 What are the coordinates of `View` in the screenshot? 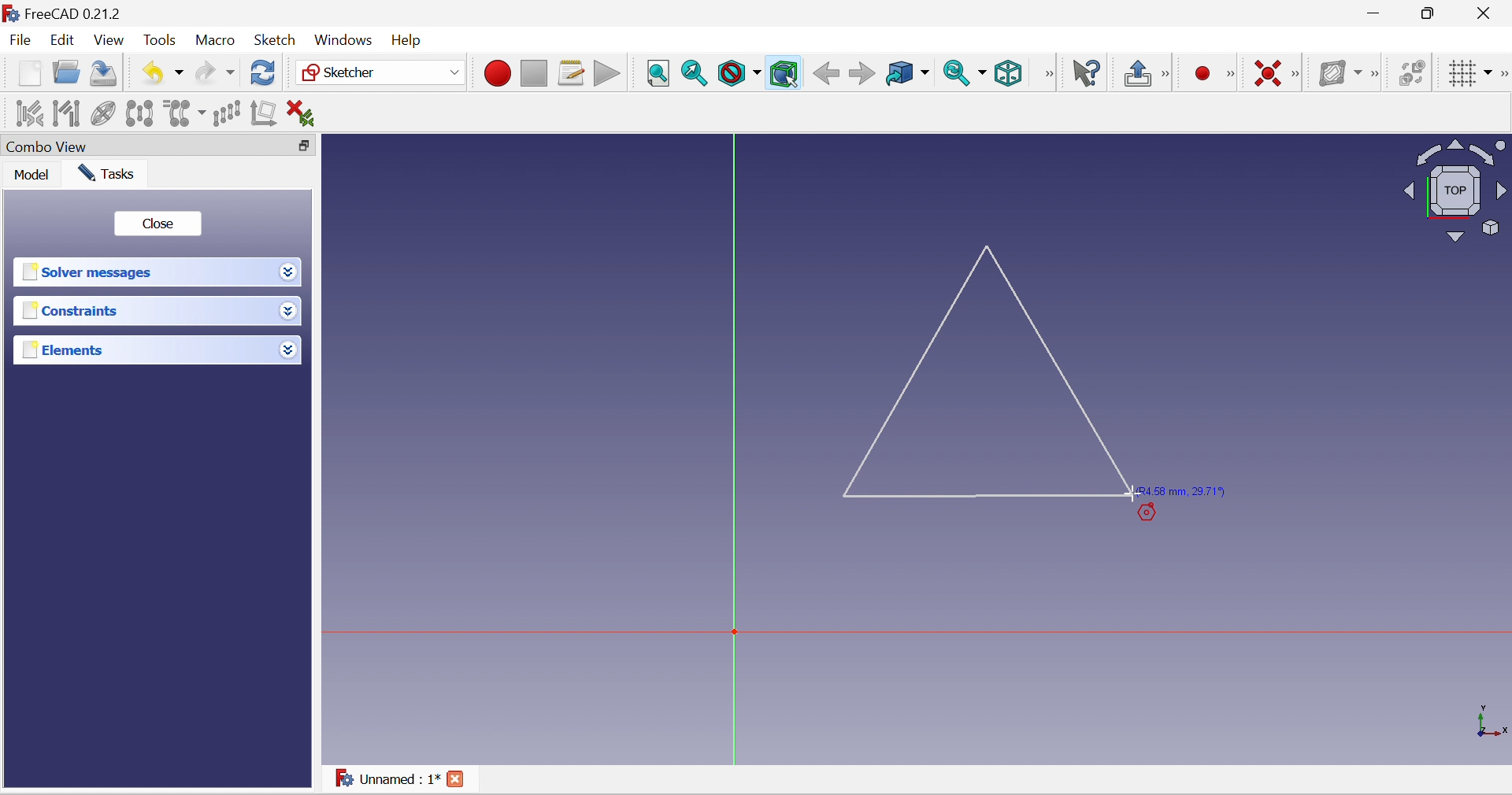 It's located at (109, 42).